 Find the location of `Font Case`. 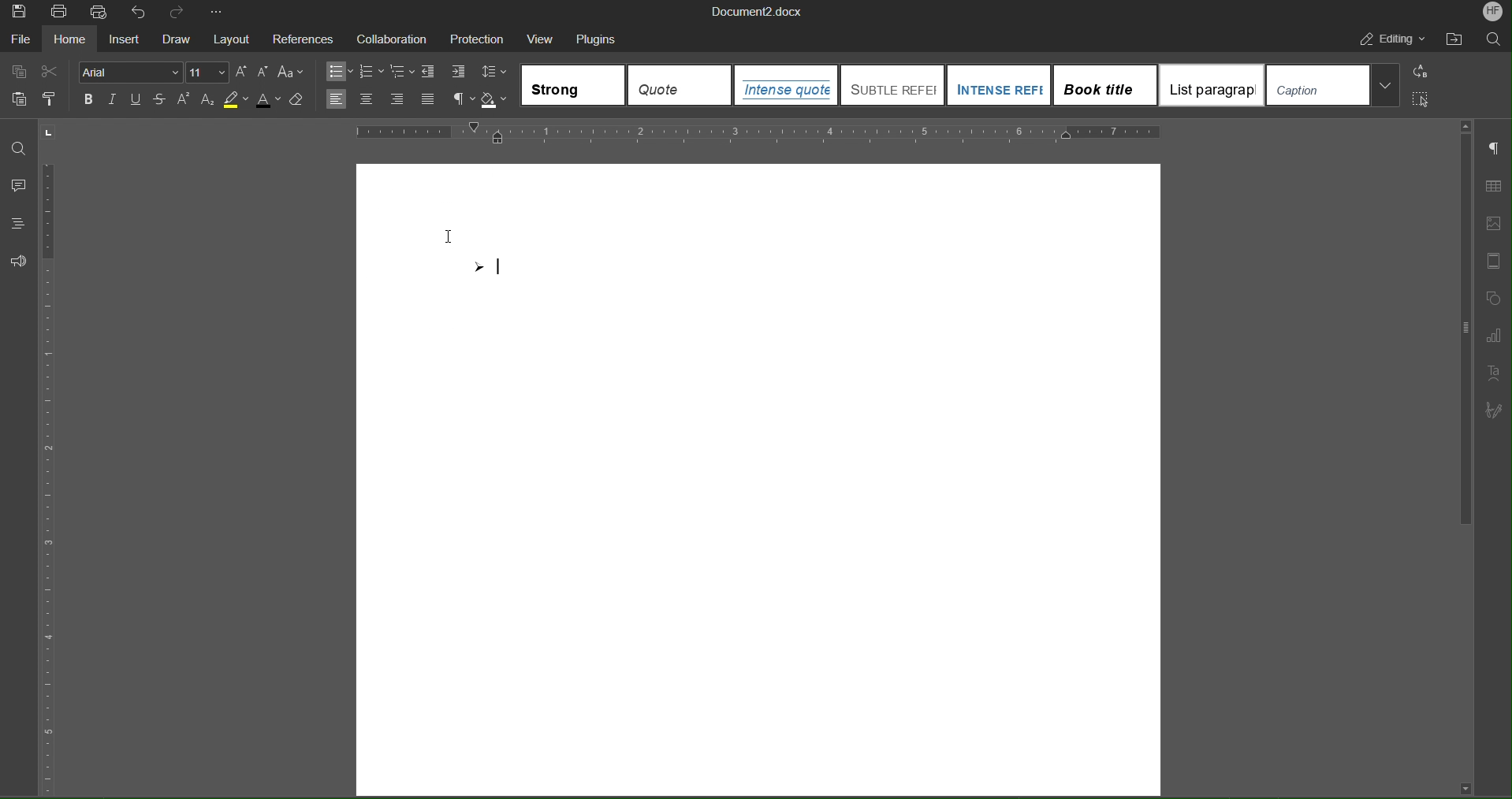

Font Case is located at coordinates (296, 69).